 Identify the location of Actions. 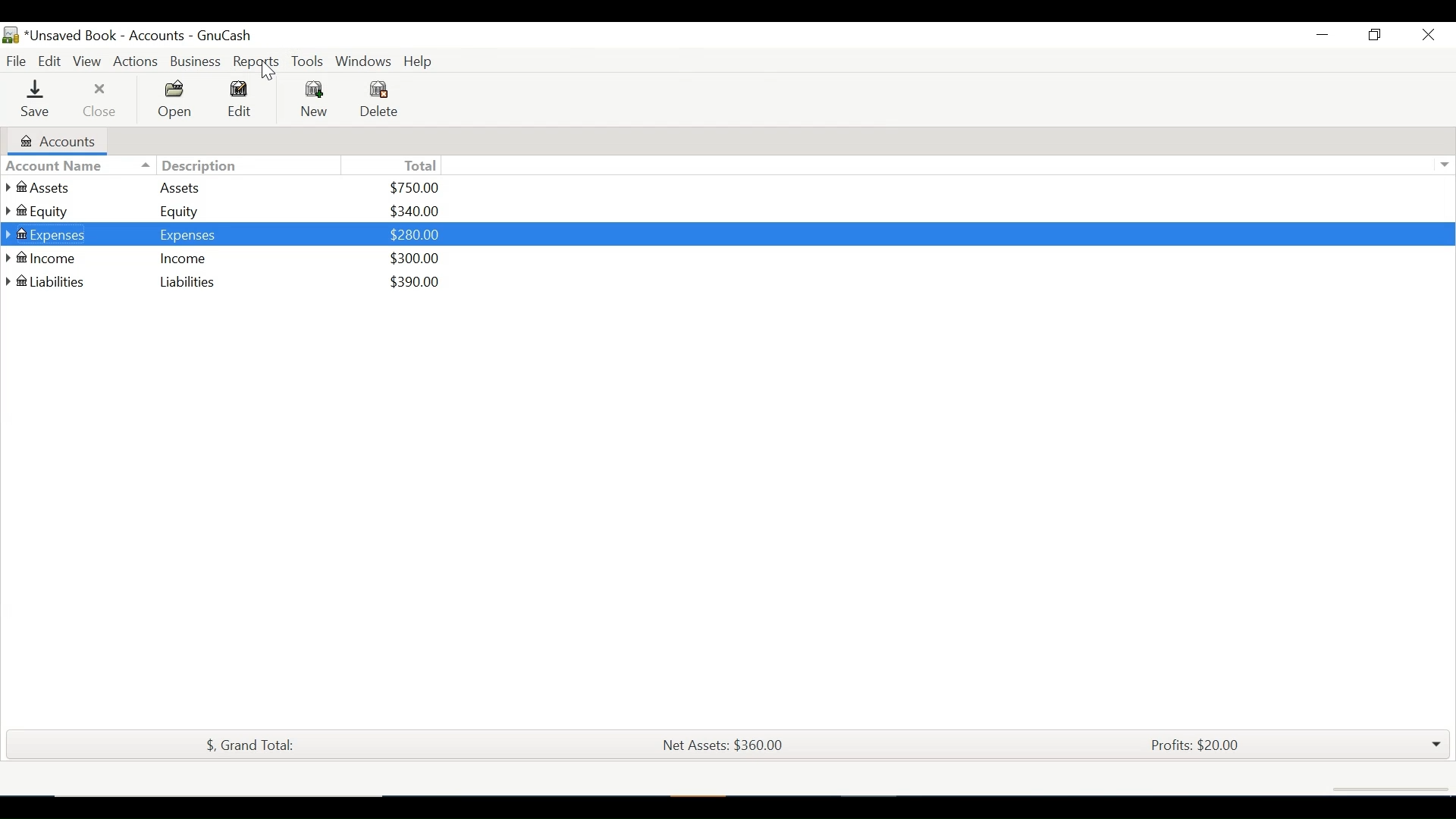
(136, 58).